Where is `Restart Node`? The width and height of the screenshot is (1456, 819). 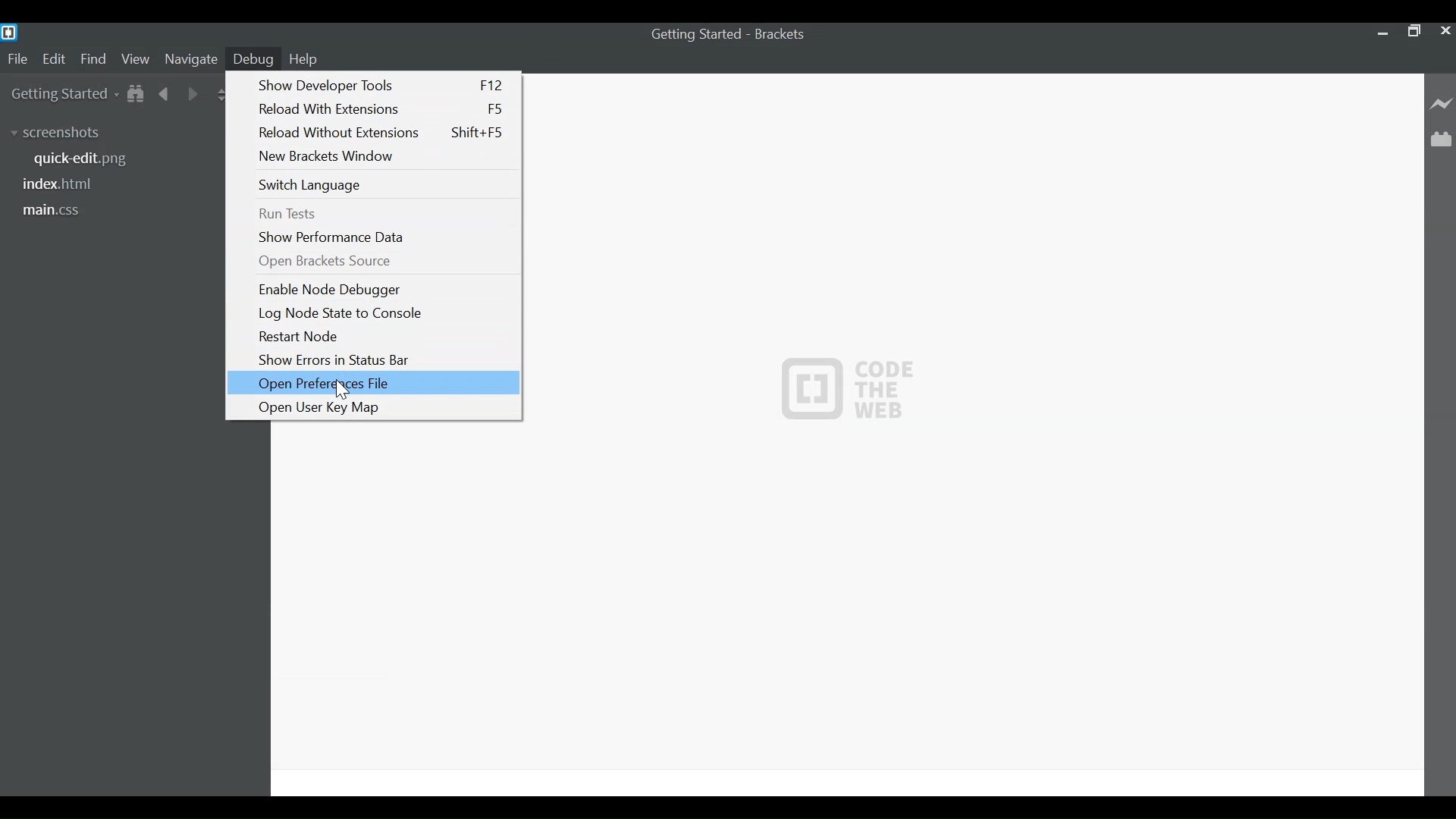
Restart Node is located at coordinates (381, 337).